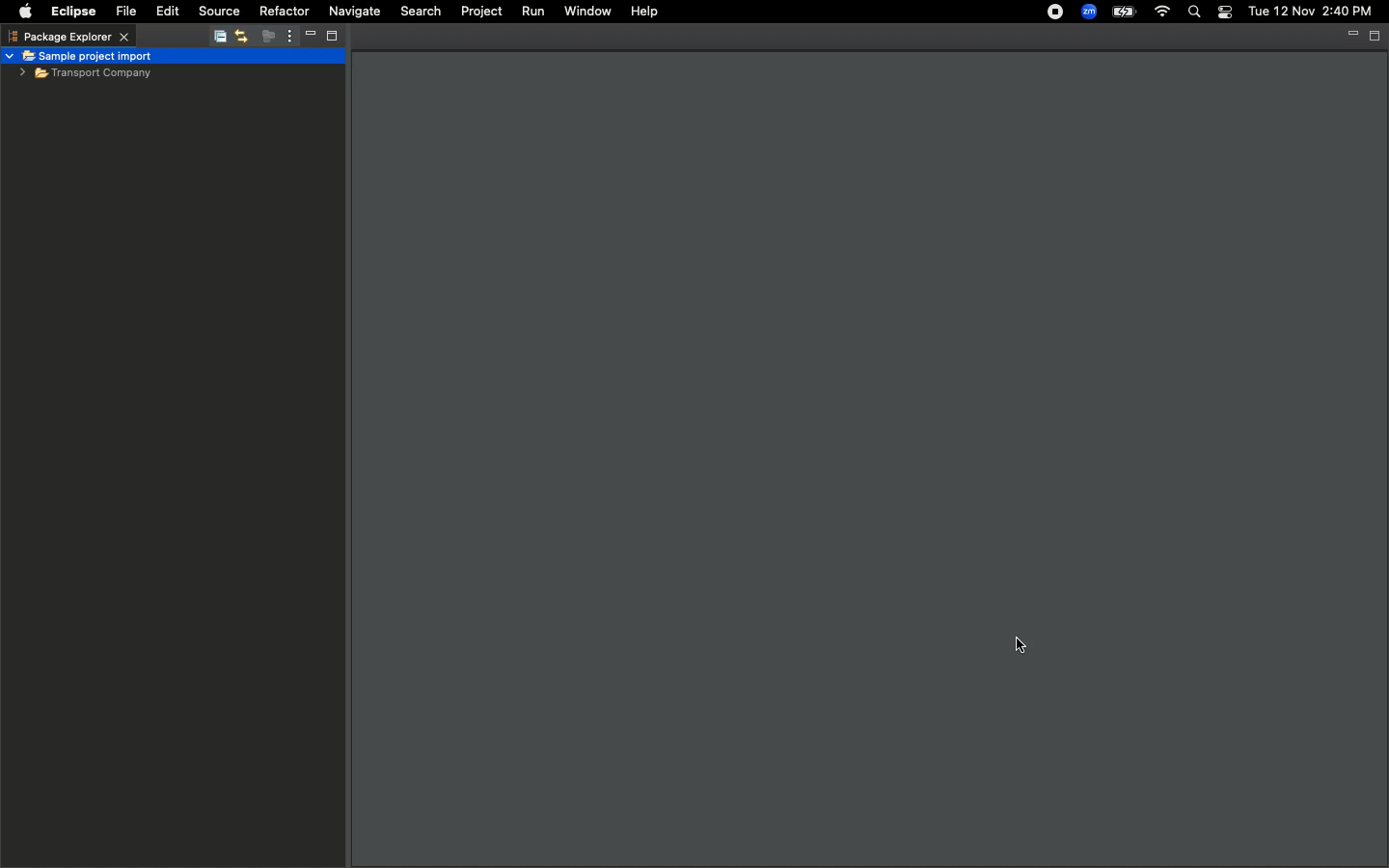 This screenshot has width=1389, height=868. Describe the element at coordinates (1310, 12) in the screenshot. I see `Tue 12 Nov 2:40 PM` at that location.